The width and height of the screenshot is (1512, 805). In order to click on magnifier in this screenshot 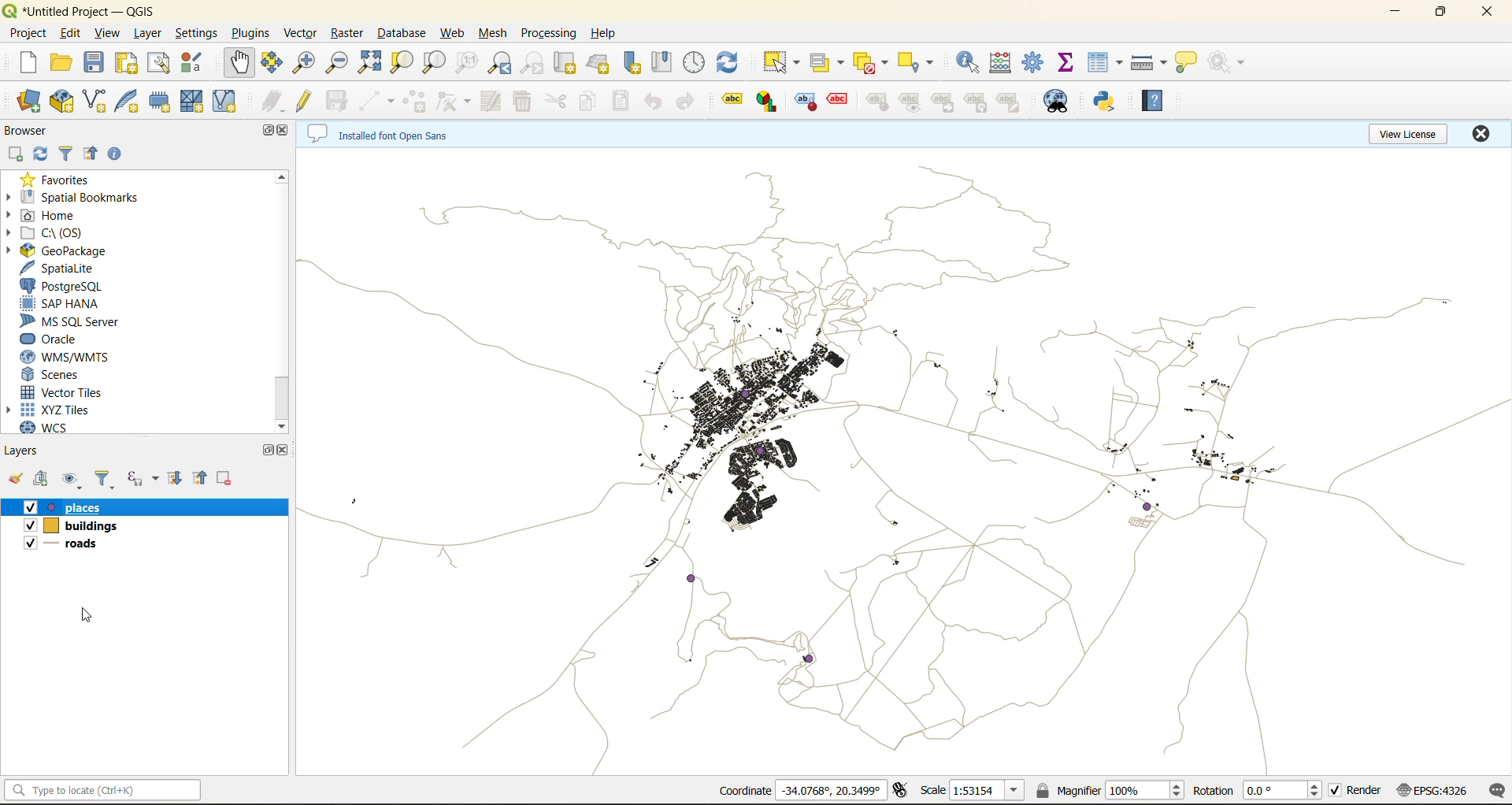, I will do `click(1067, 790)`.